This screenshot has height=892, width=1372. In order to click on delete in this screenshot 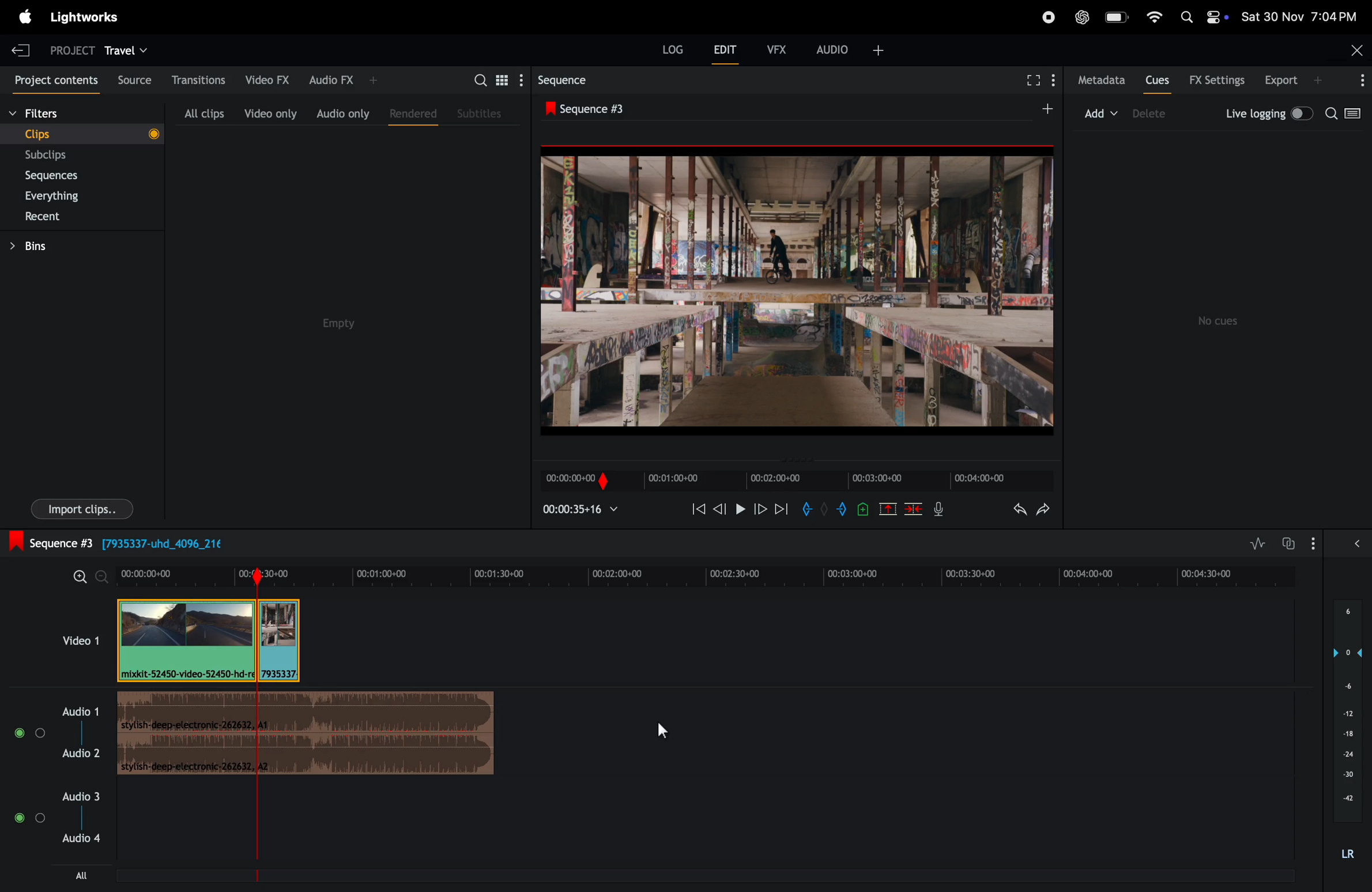, I will do `click(914, 509)`.